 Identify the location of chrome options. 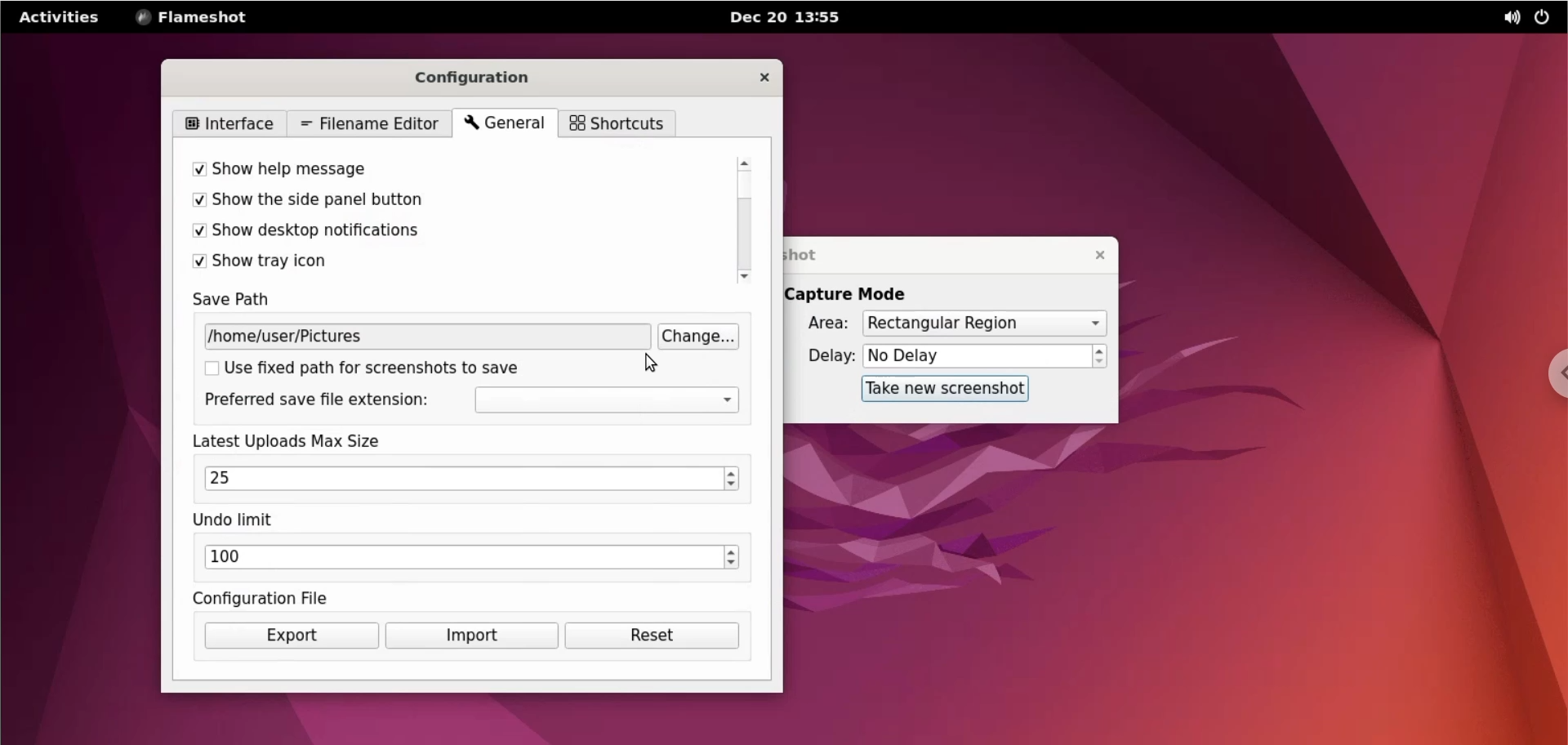
(1553, 372).